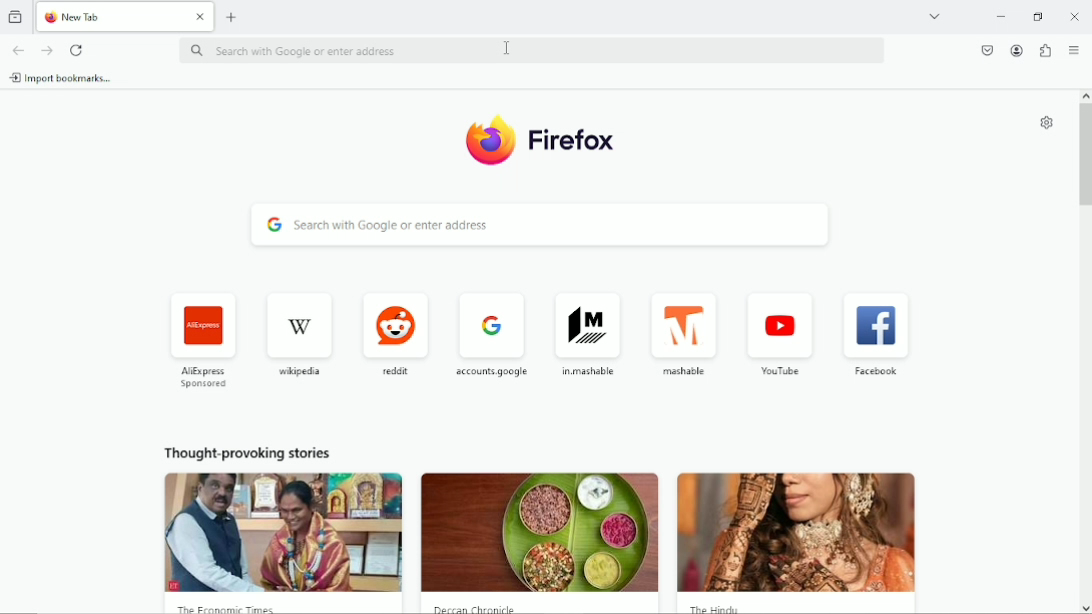  I want to click on AliExpress sponsored, so click(202, 337).